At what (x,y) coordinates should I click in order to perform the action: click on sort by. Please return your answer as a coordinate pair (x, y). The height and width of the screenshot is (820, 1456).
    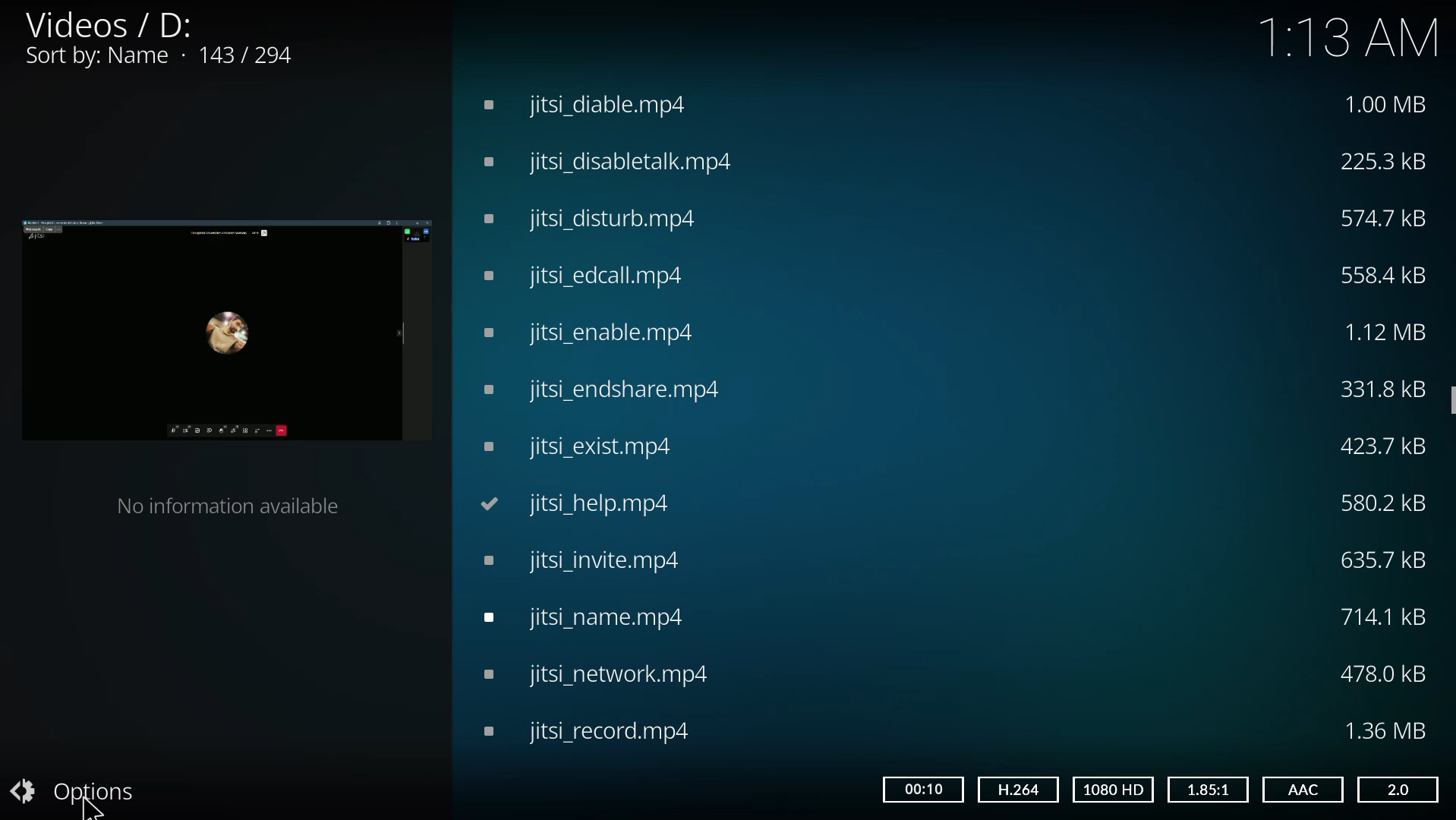
    Looking at the image, I should click on (162, 61).